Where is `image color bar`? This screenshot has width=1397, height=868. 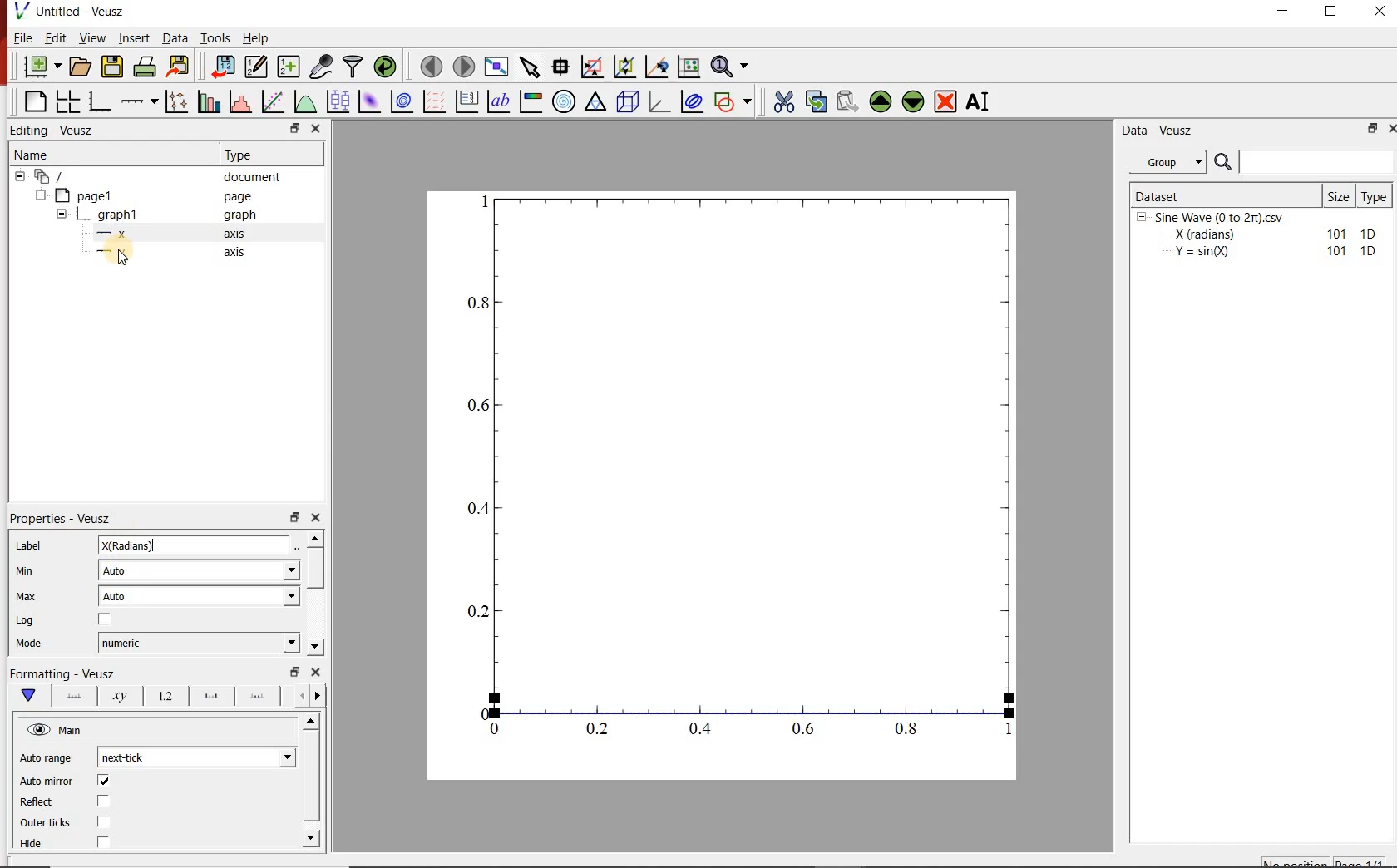
image color bar is located at coordinates (531, 101).